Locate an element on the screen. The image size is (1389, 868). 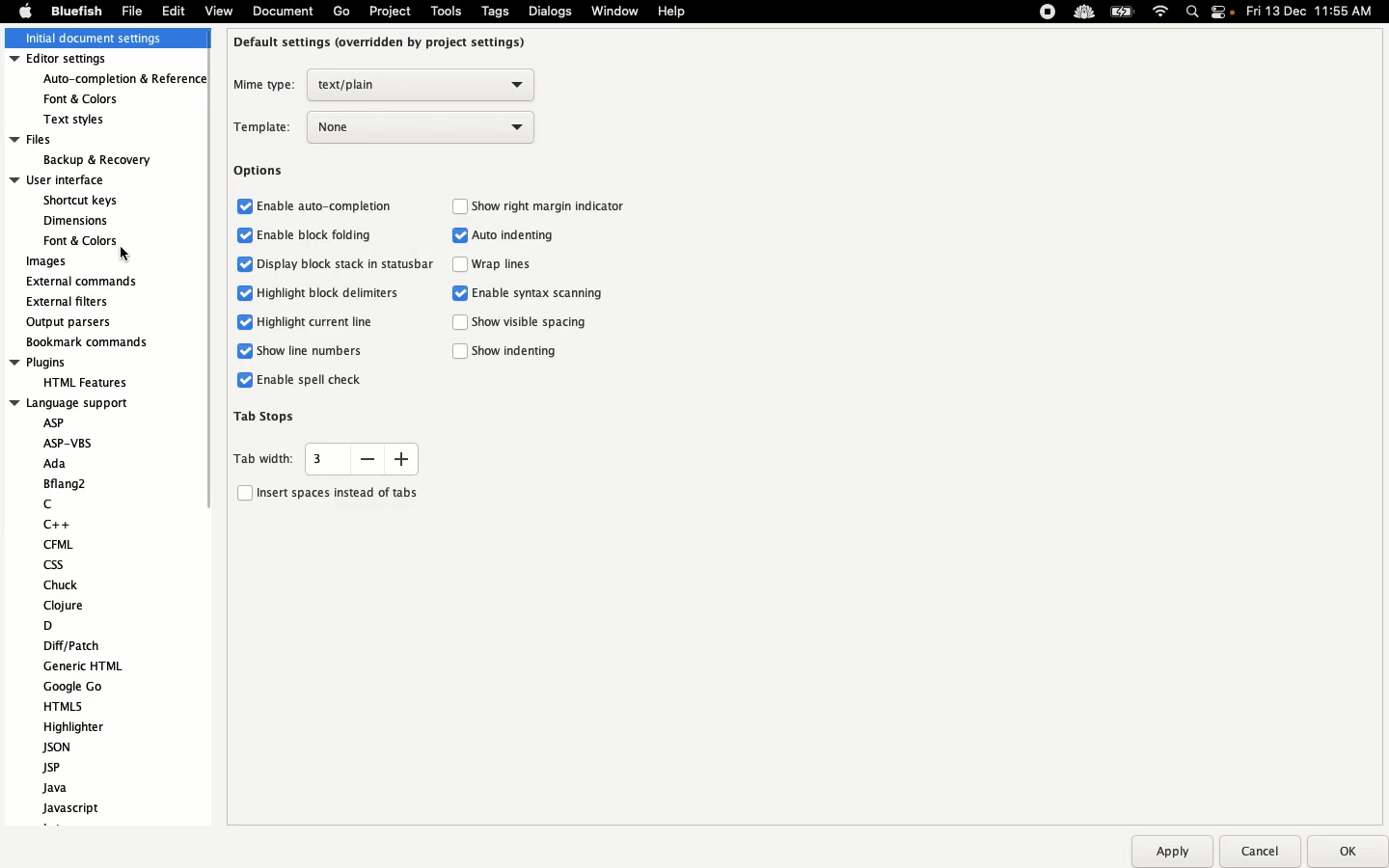
Mine type is located at coordinates (382, 85).